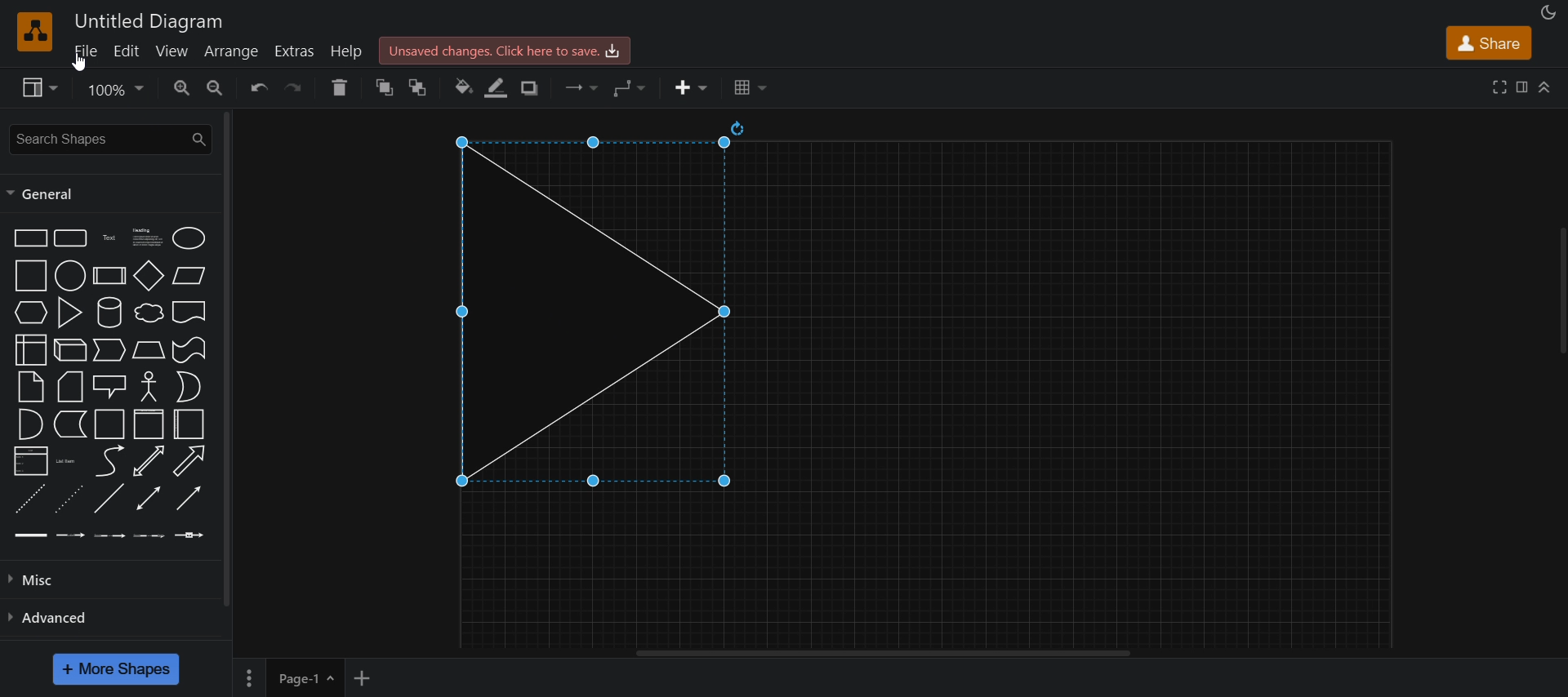 The image size is (1568, 697). Describe the element at coordinates (1497, 87) in the screenshot. I see `full screen` at that location.